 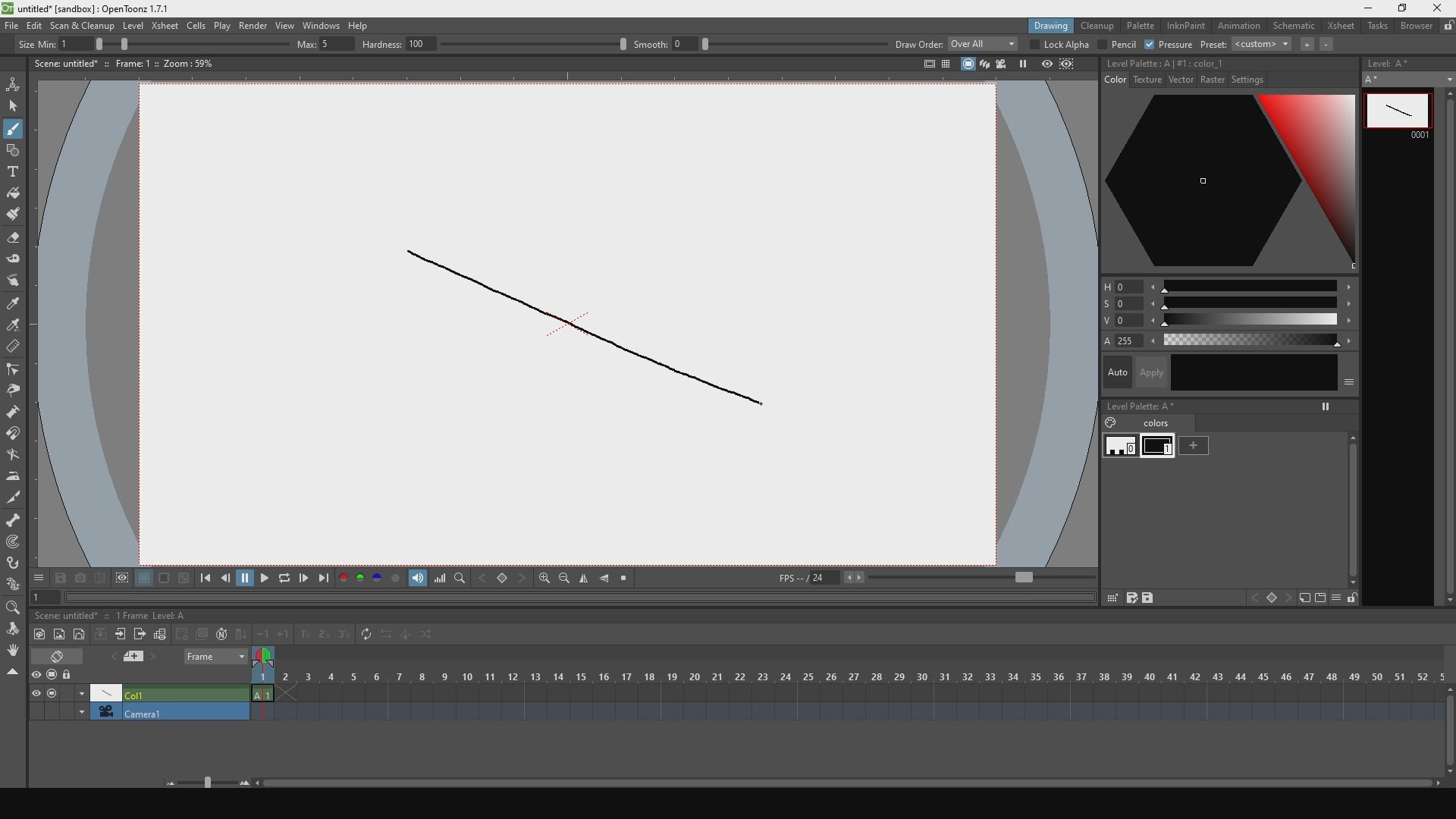 What do you see at coordinates (144, 580) in the screenshot?
I see `white background` at bounding box center [144, 580].